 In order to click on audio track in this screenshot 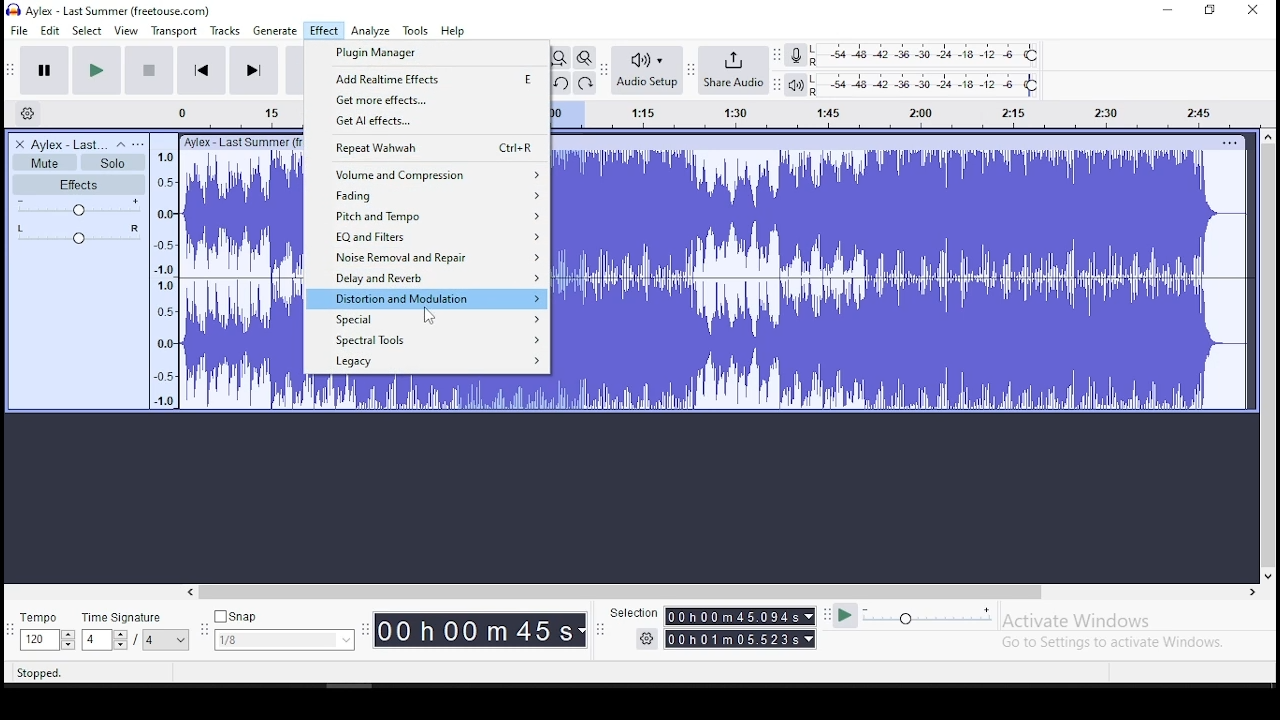, I will do `click(242, 279)`.